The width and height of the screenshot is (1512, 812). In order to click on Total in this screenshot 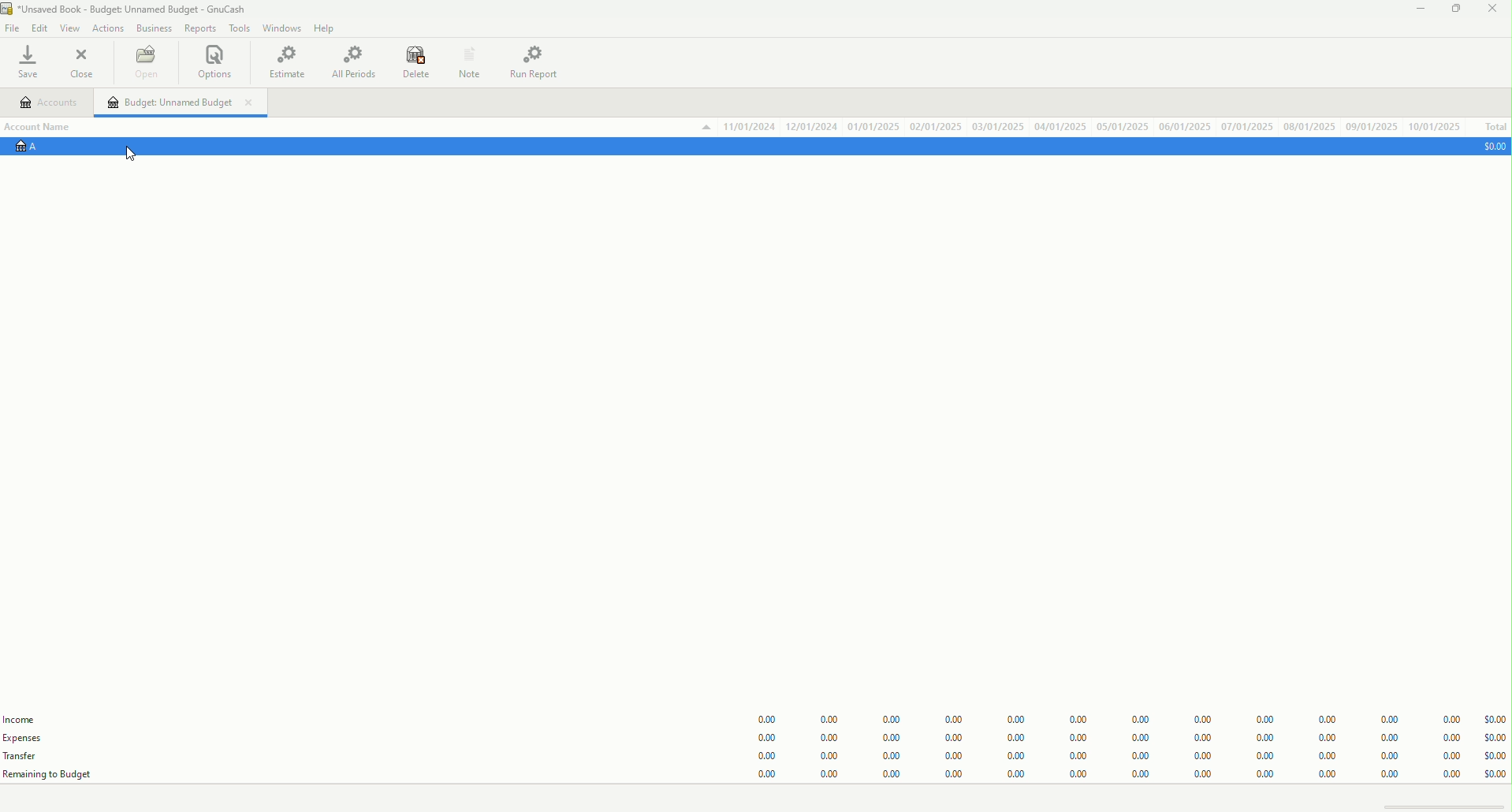, I will do `click(1495, 127)`.